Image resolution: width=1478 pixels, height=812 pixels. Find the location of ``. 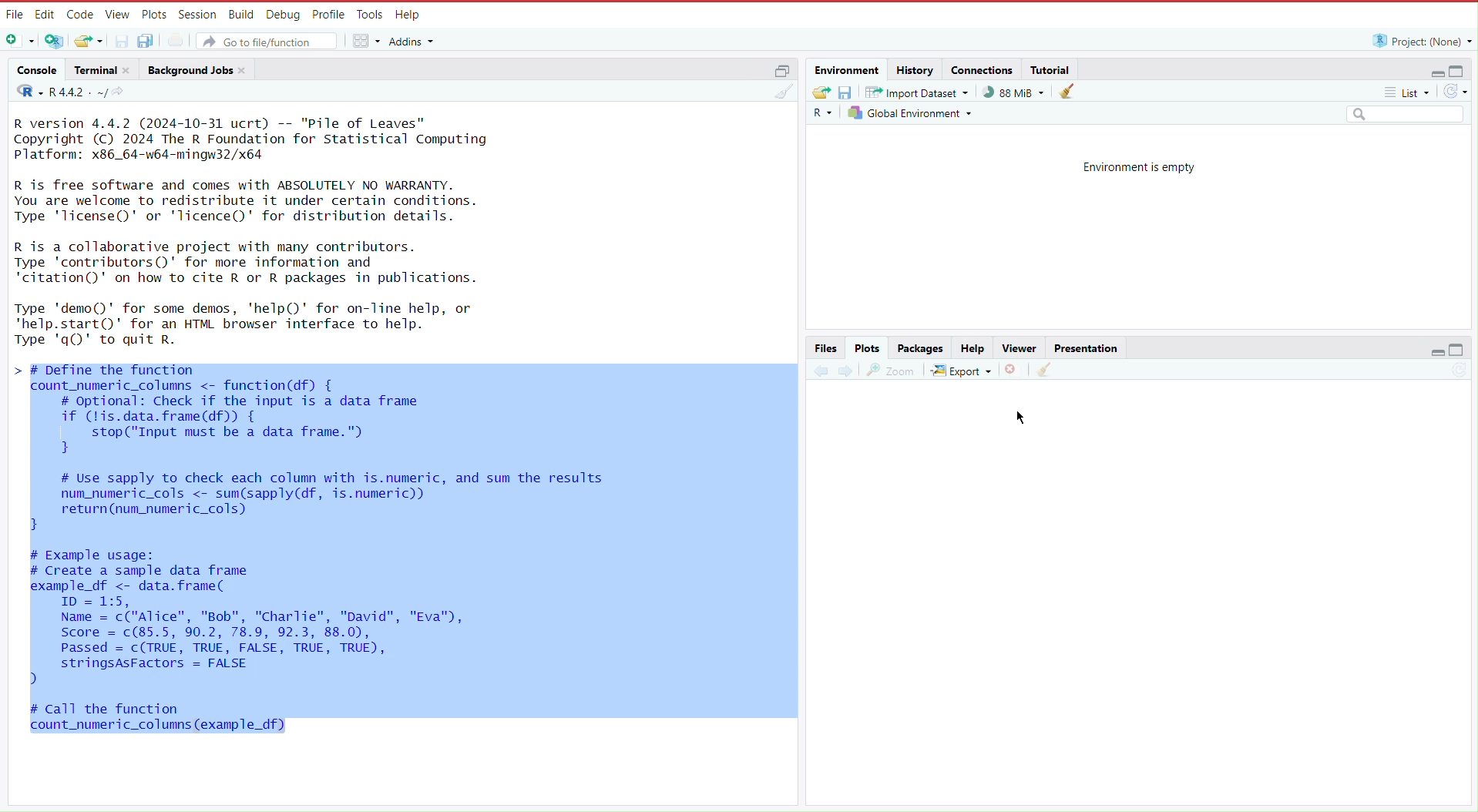

 is located at coordinates (1404, 116).